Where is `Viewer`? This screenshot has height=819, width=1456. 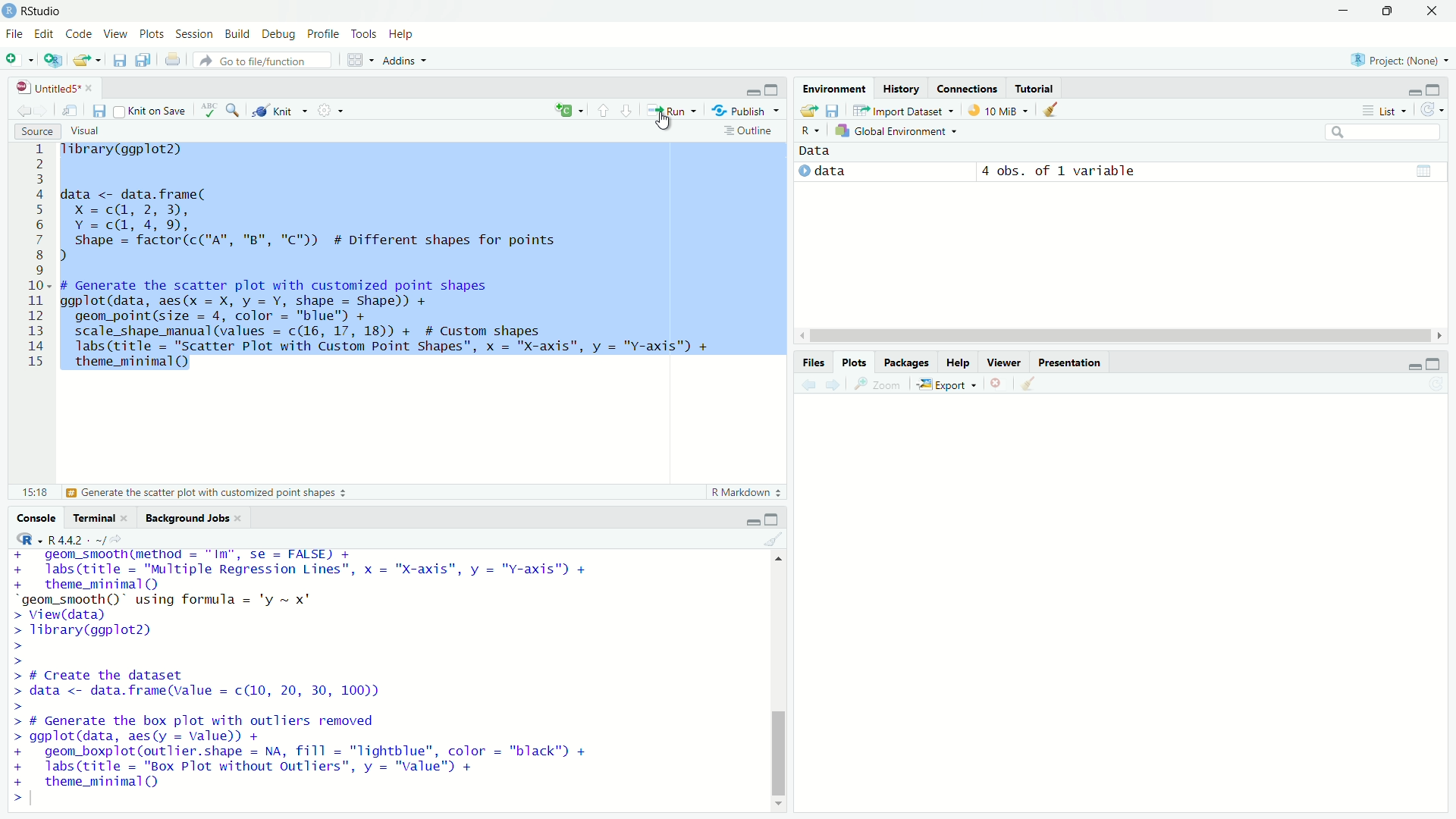 Viewer is located at coordinates (1004, 362).